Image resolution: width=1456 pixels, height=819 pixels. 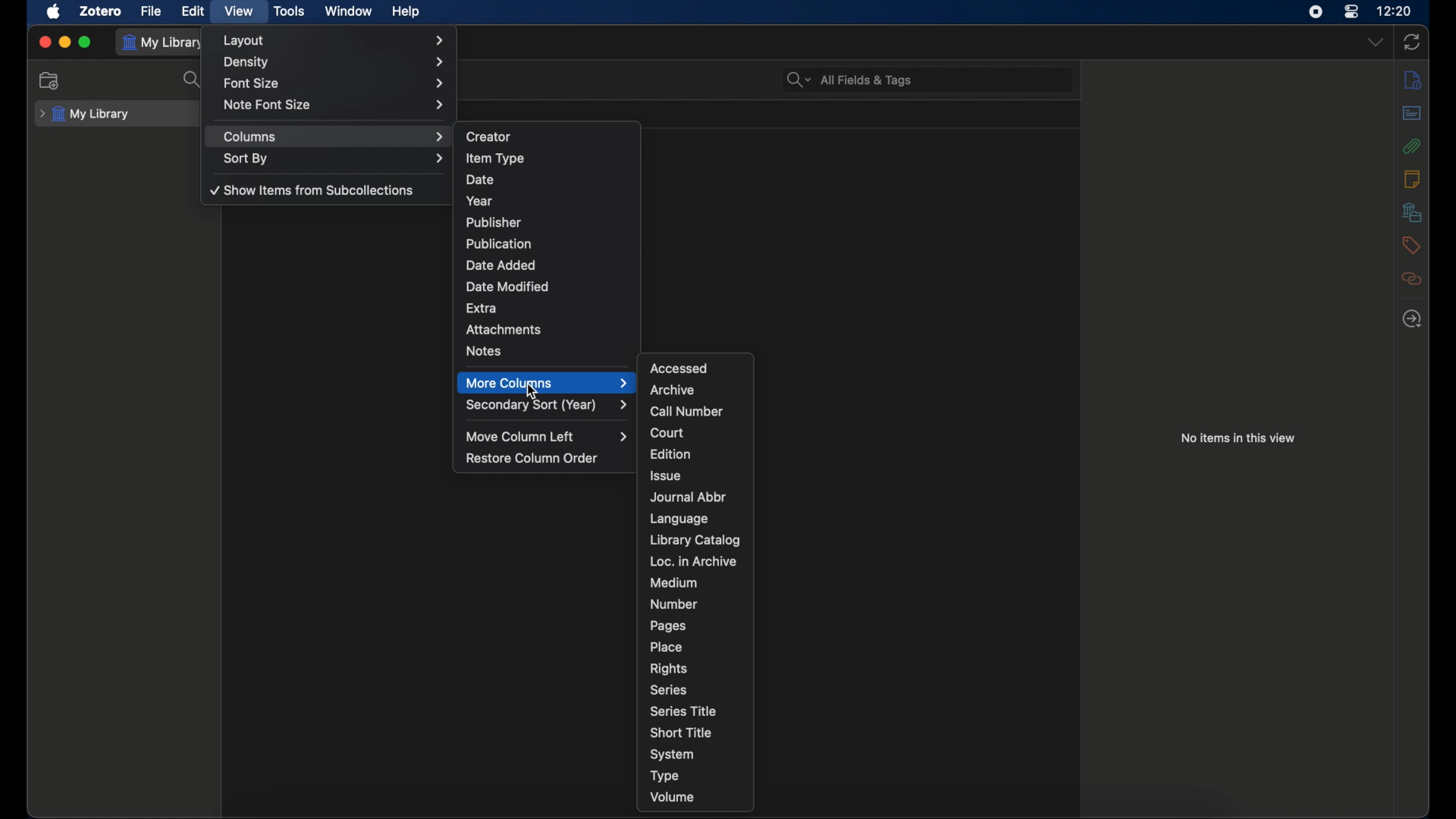 I want to click on search, so click(x=193, y=80).